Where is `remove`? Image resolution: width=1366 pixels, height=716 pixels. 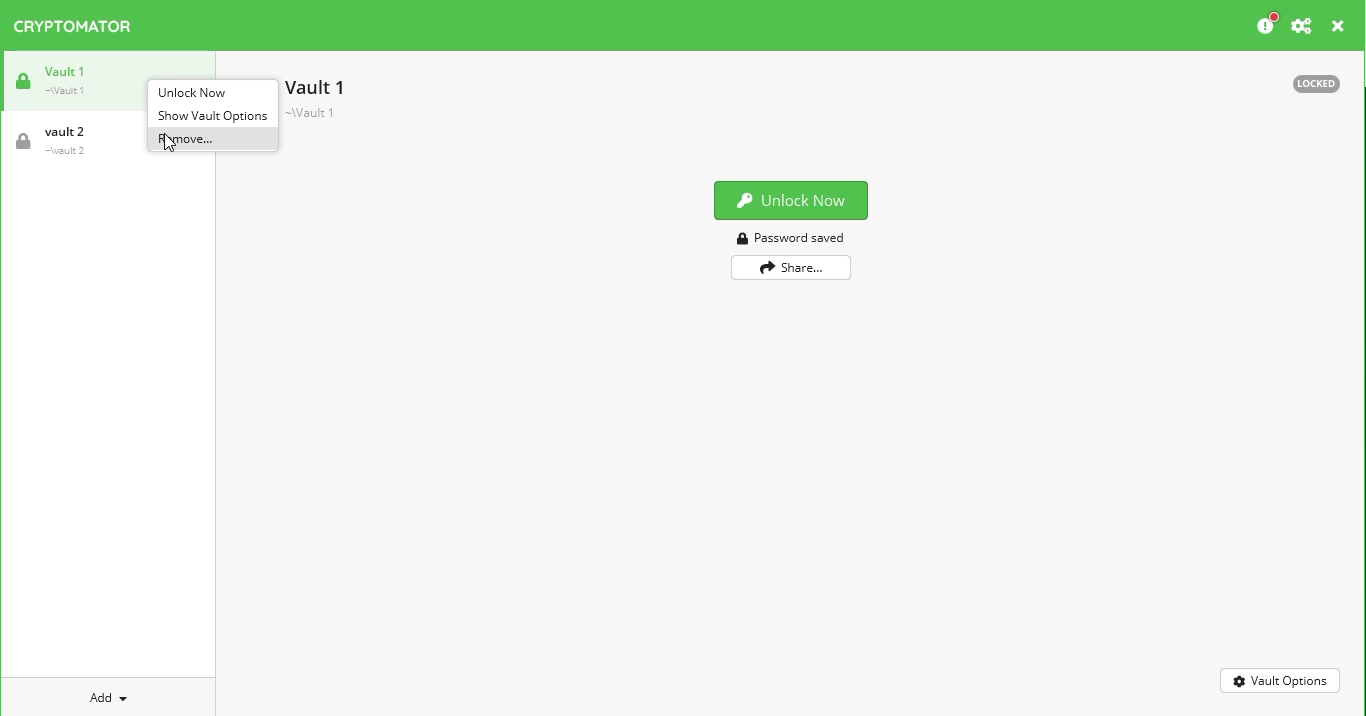 remove is located at coordinates (211, 139).